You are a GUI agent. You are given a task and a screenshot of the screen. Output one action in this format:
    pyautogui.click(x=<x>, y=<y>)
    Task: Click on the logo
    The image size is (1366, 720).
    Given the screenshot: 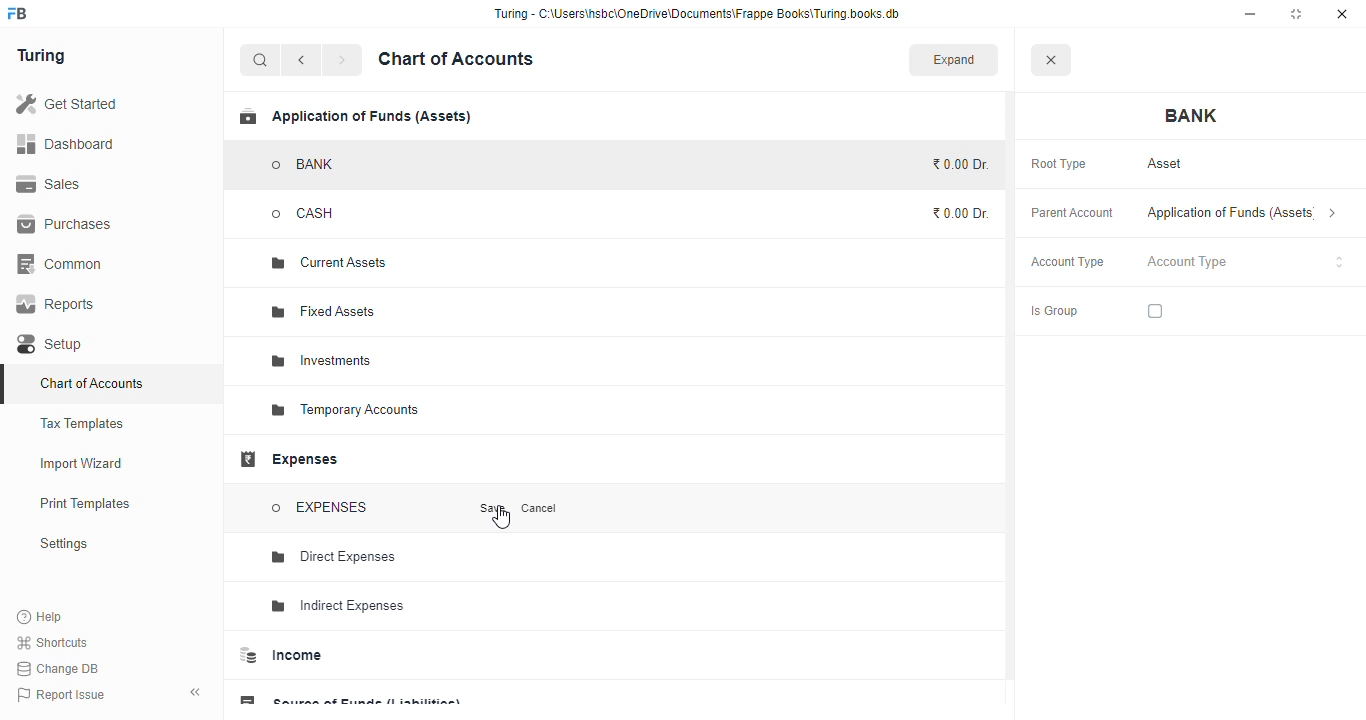 What is the action you would take?
    pyautogui.click(x=18, y=13)
    